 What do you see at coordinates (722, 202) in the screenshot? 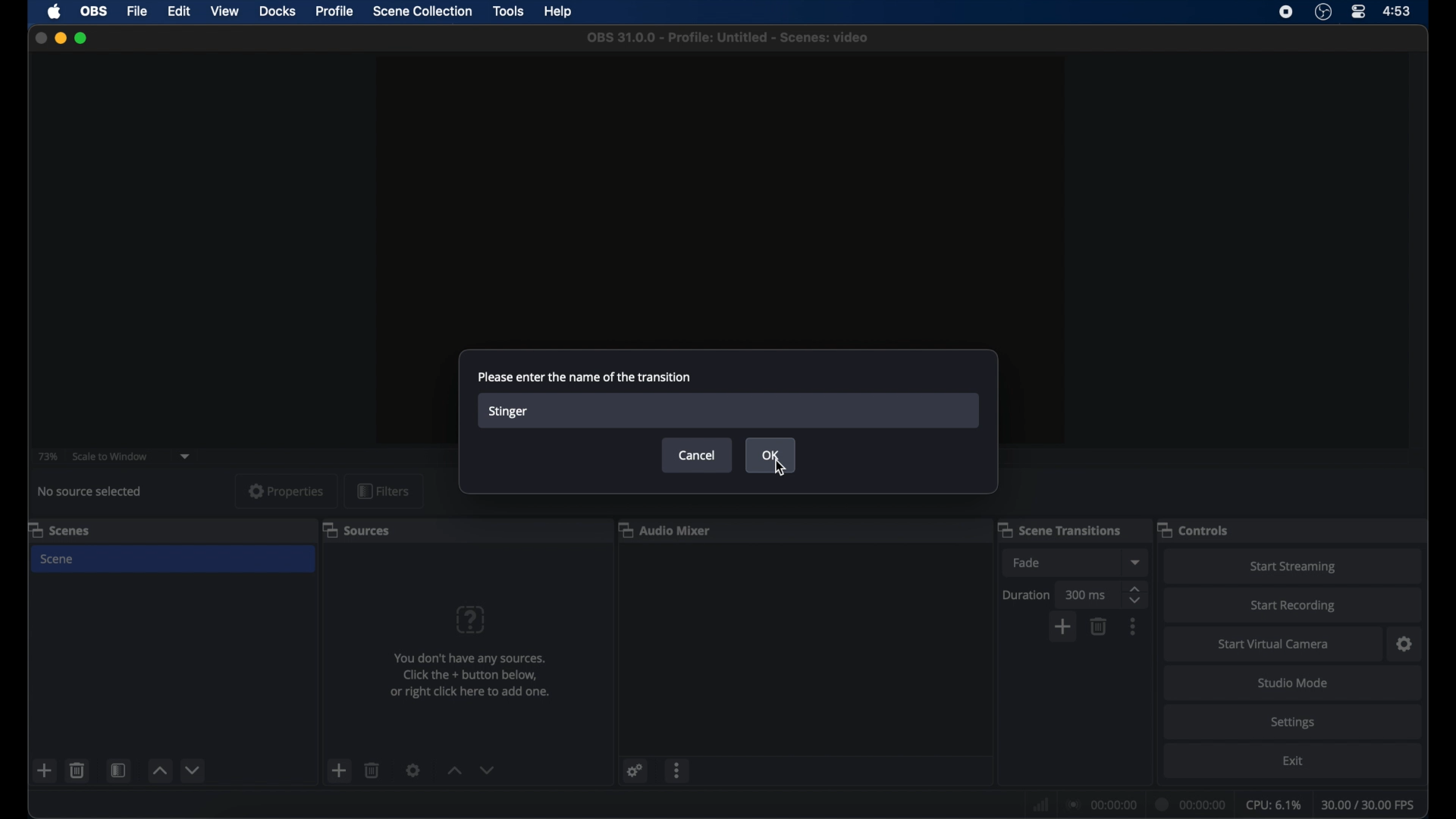
I see `preview` at bounding box center [722, 202].